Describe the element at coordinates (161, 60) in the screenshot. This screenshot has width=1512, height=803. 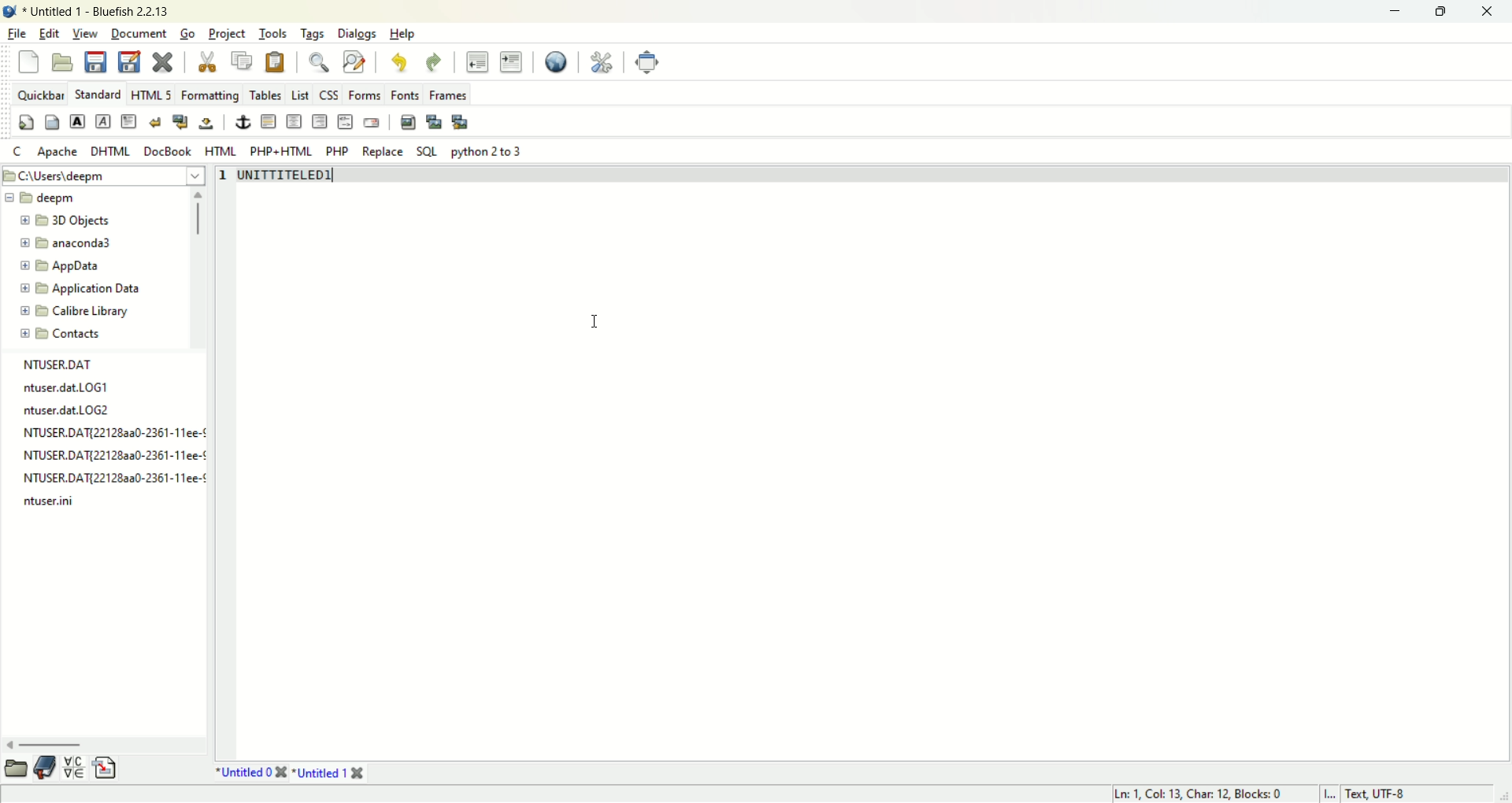
I see `close` at that location.